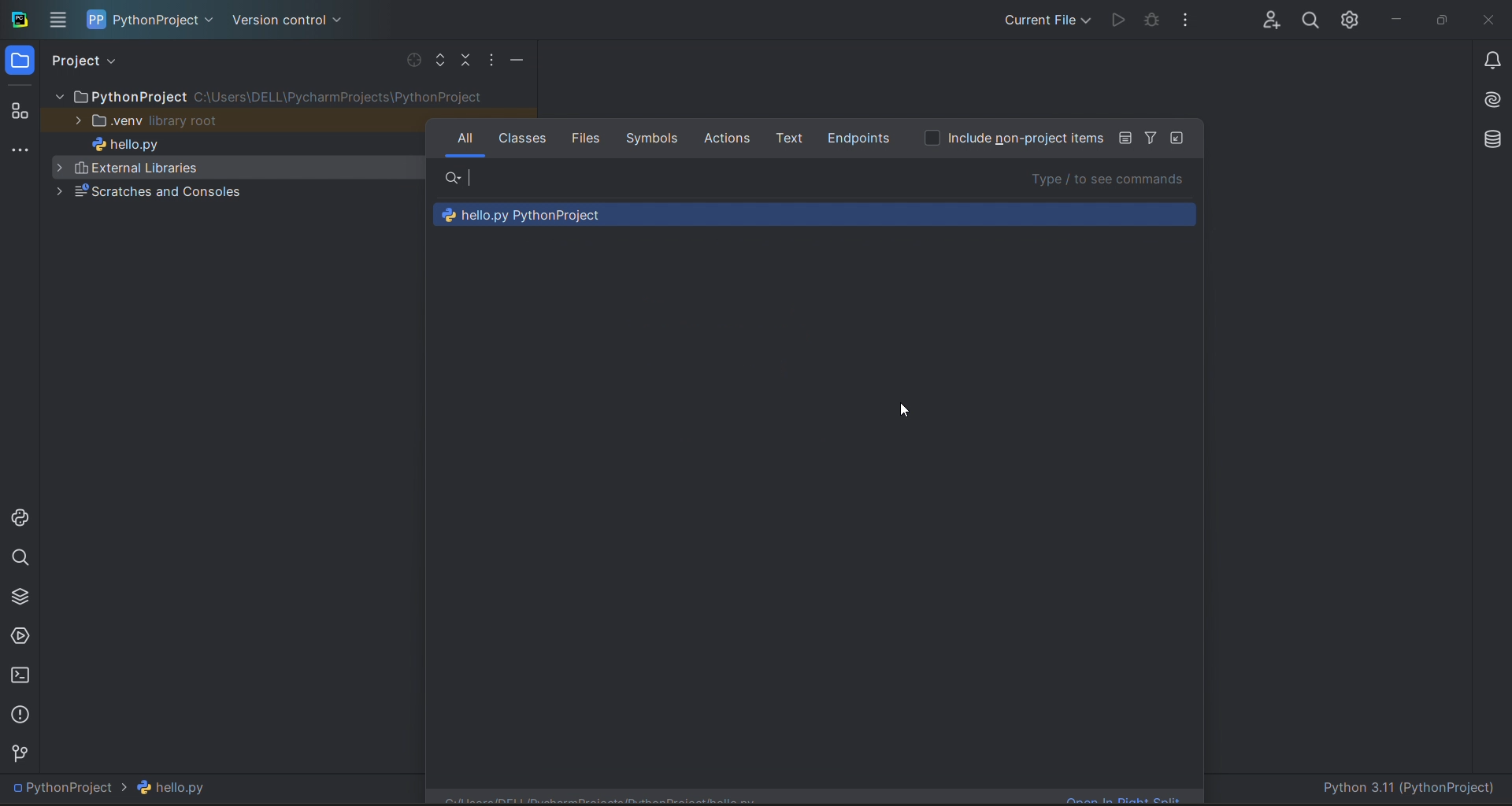 Image resolution: width=1512 pixels, height=806 pixels. What do you see at coordinates (906, 410) in the screenshot?
I see `cursor` at bounding box center [906, 410].